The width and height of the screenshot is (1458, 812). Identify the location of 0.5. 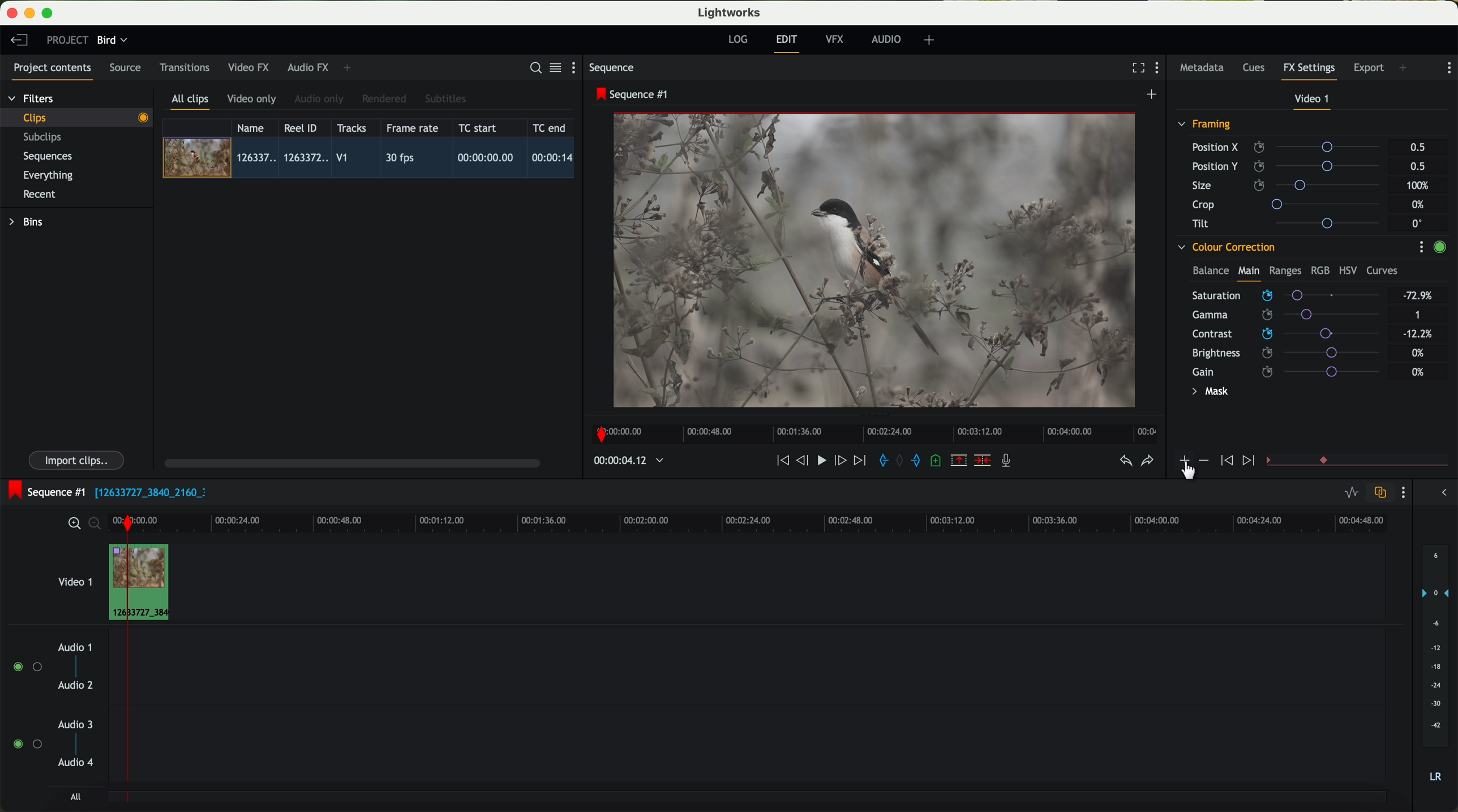
(1417, 166).